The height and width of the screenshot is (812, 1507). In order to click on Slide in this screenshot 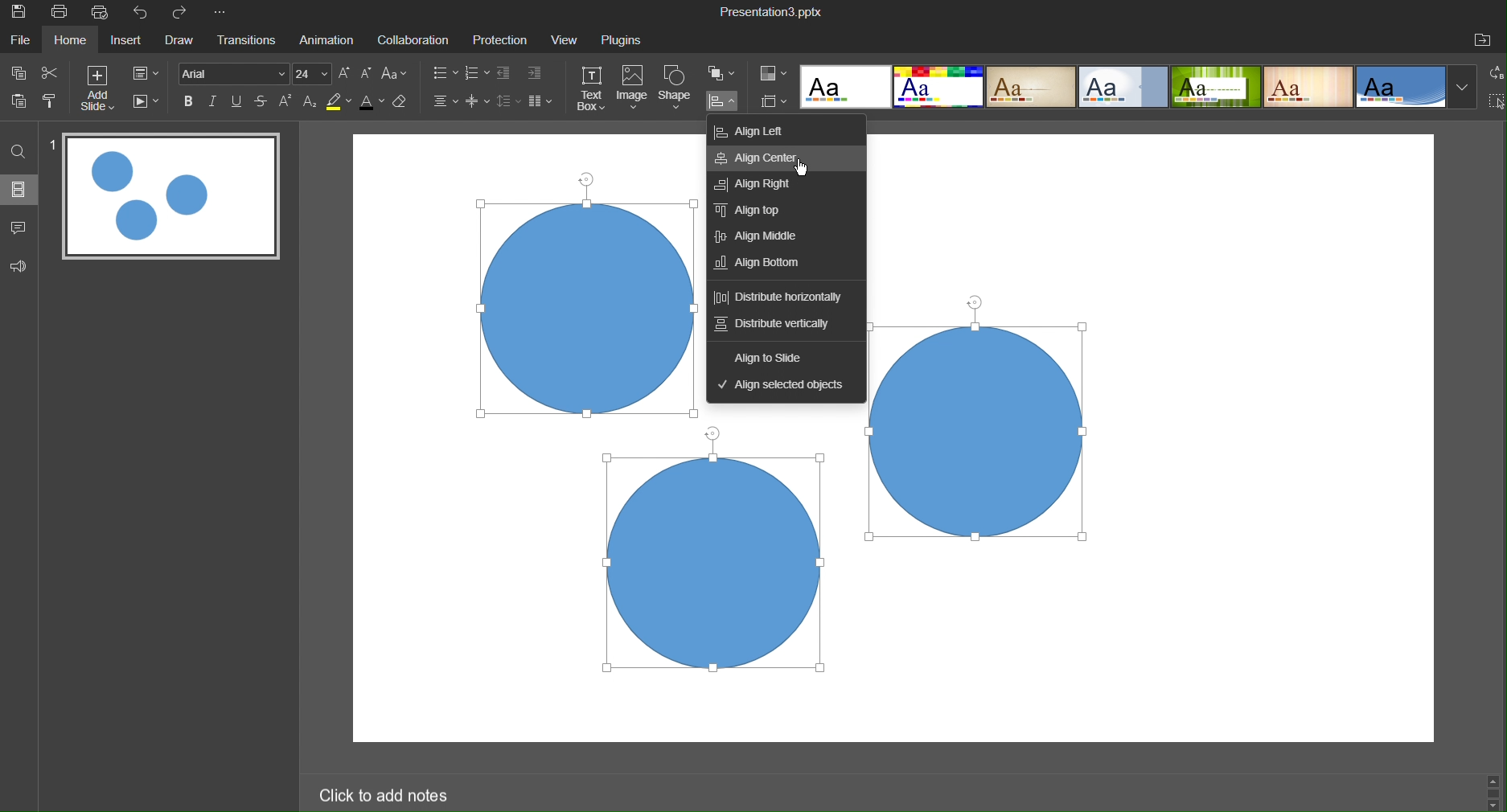, I will do `click(18, 193)`.